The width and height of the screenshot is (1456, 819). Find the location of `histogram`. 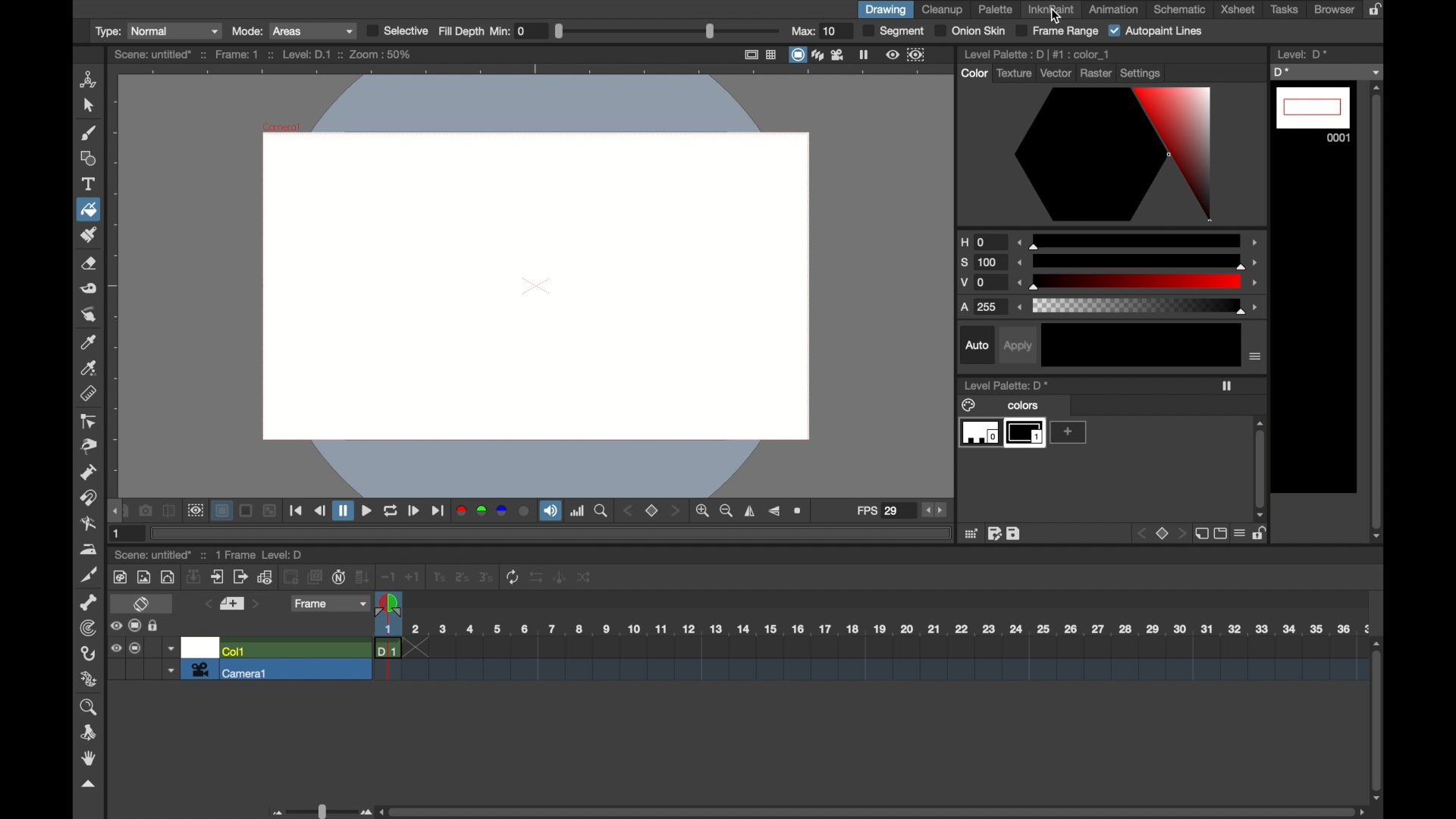

histogram is located at coordinates (577, 511).